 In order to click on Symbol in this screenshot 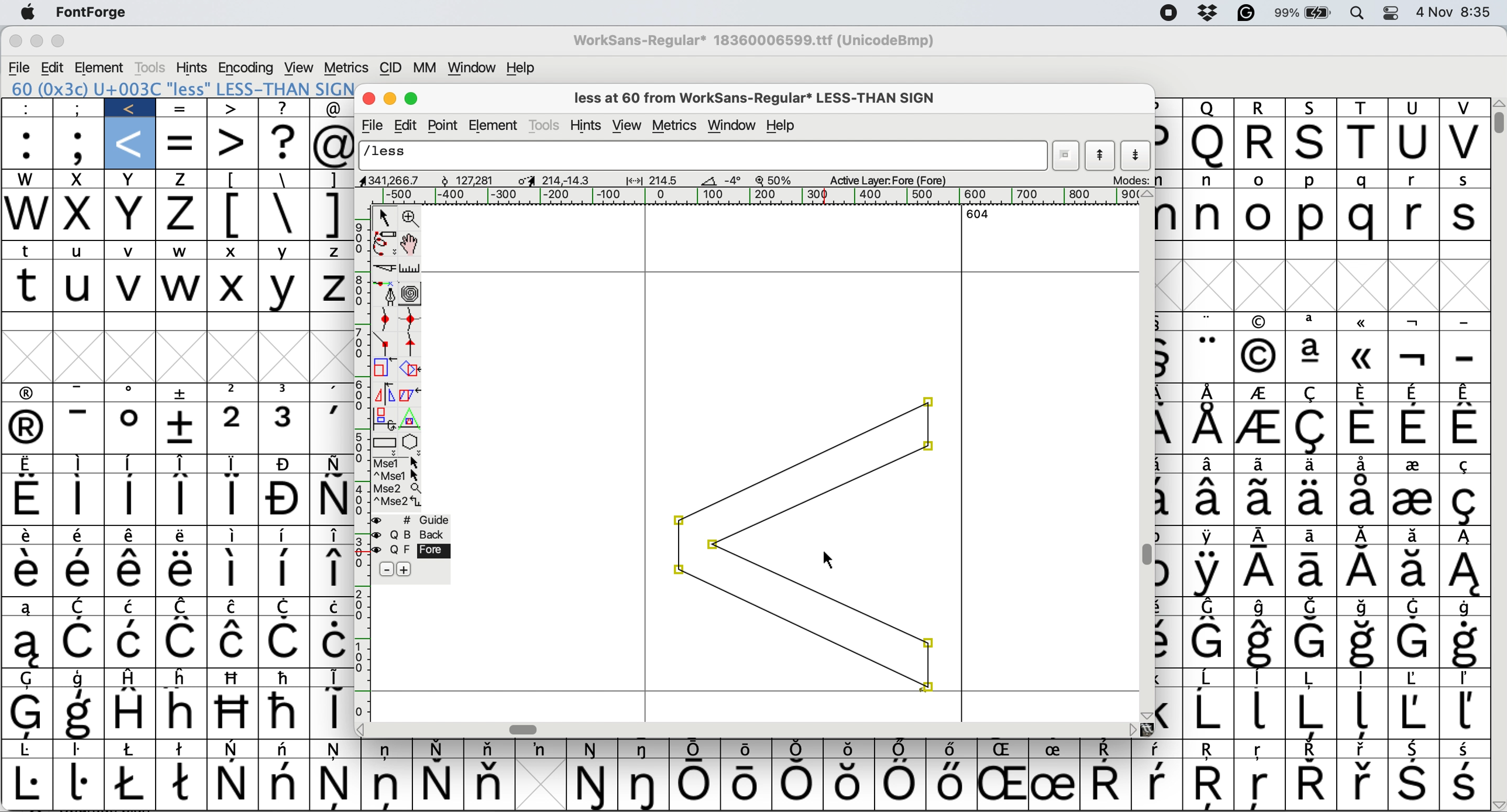, I will do `click(1259, 679)`.